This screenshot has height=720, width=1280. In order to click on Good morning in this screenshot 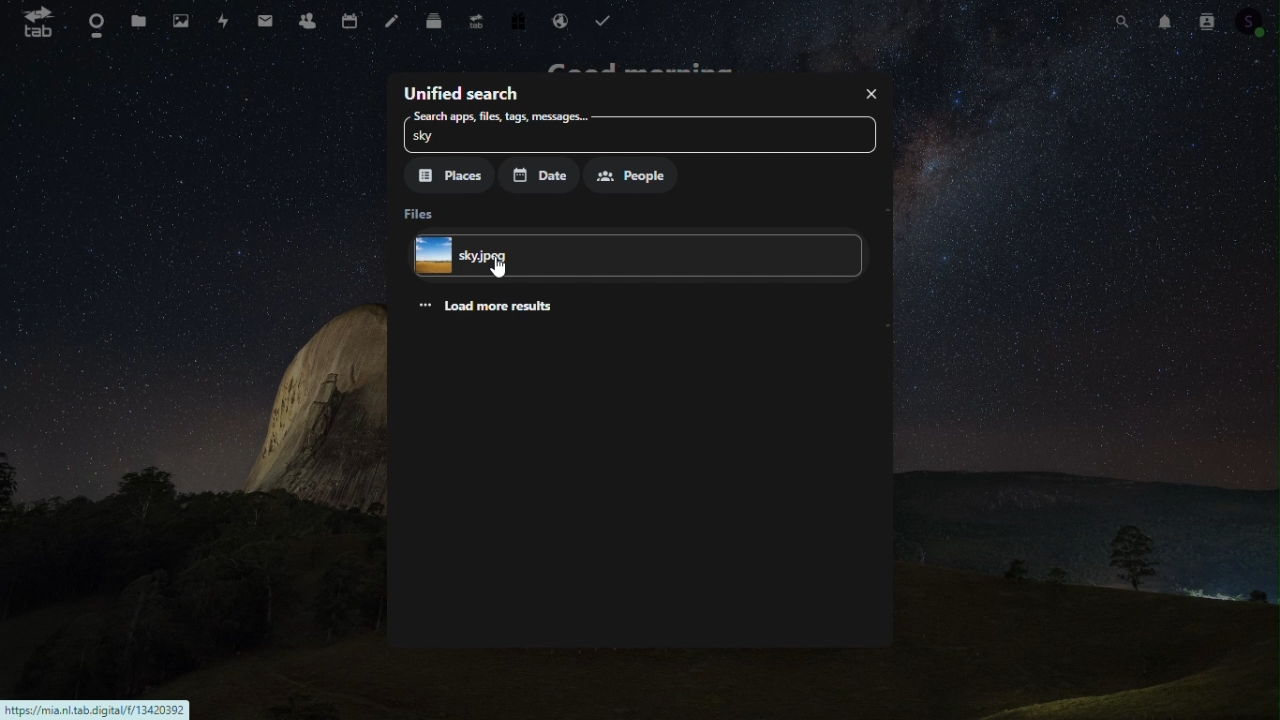, I will do `click(648, 74)`.